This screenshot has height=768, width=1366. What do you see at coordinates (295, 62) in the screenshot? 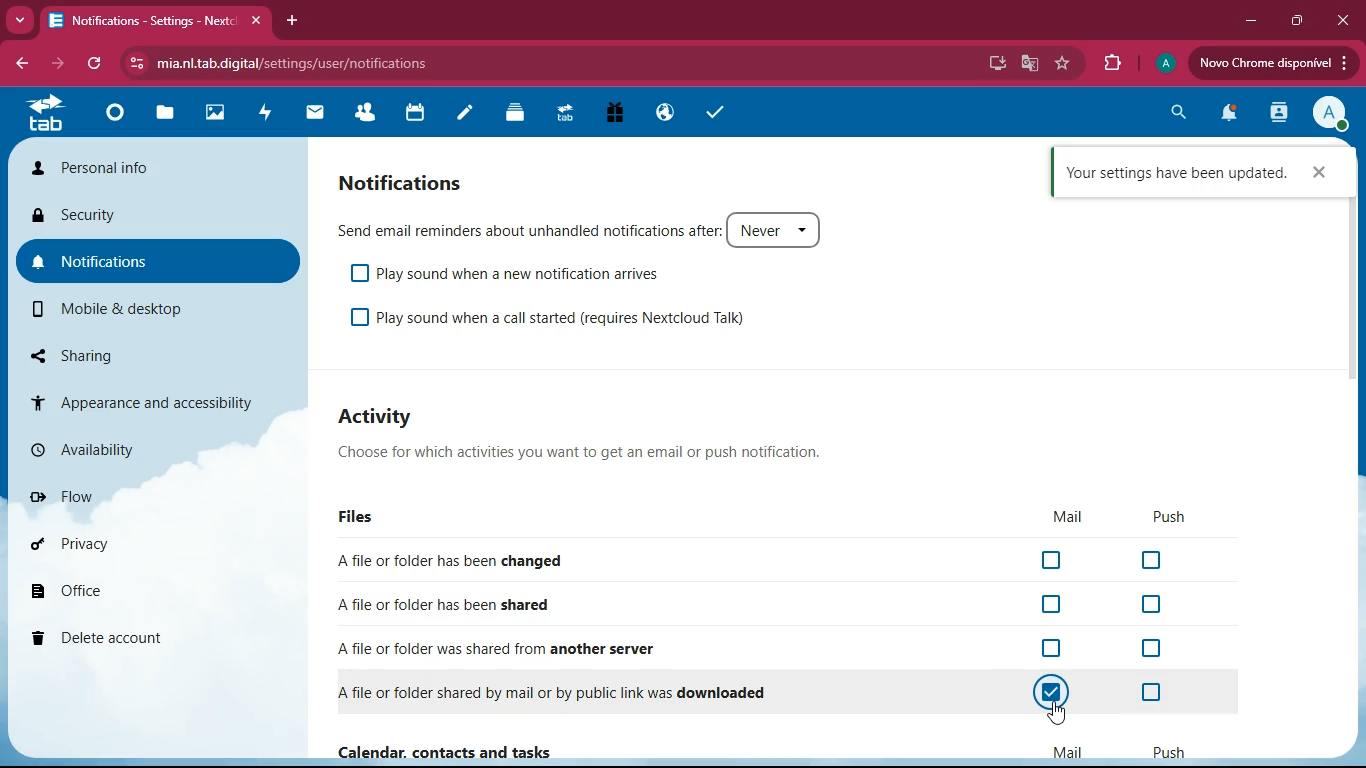
I see `url` at bounding box center [295, 62].